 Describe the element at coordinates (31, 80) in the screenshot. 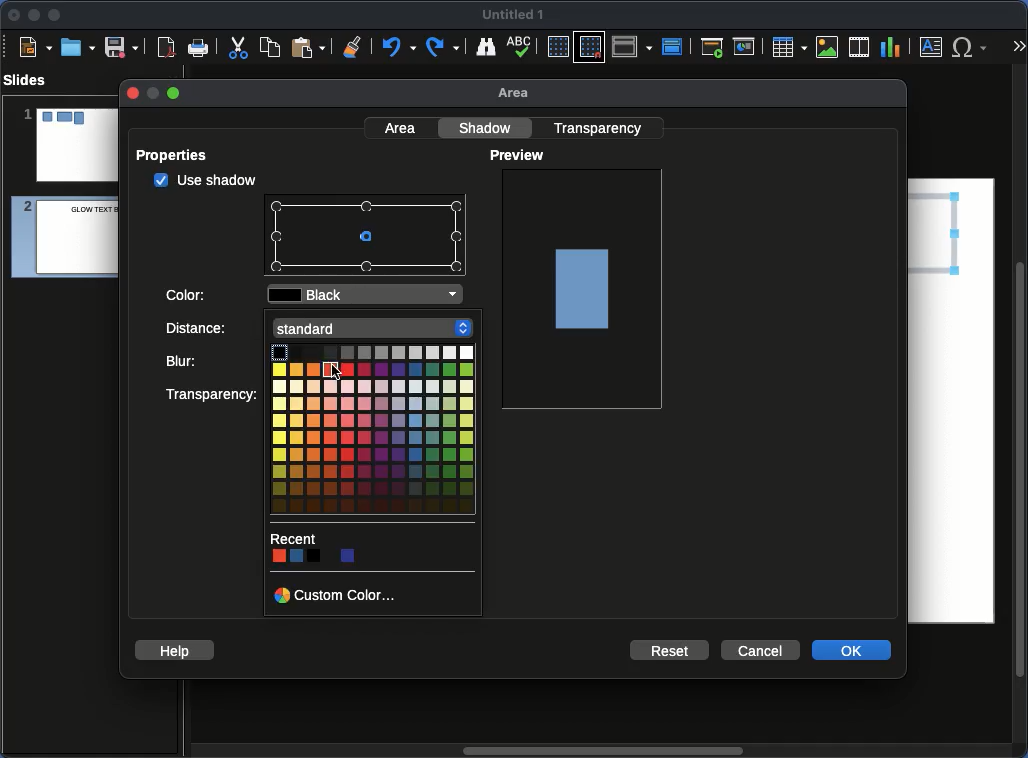

I see `Slides` at that location.